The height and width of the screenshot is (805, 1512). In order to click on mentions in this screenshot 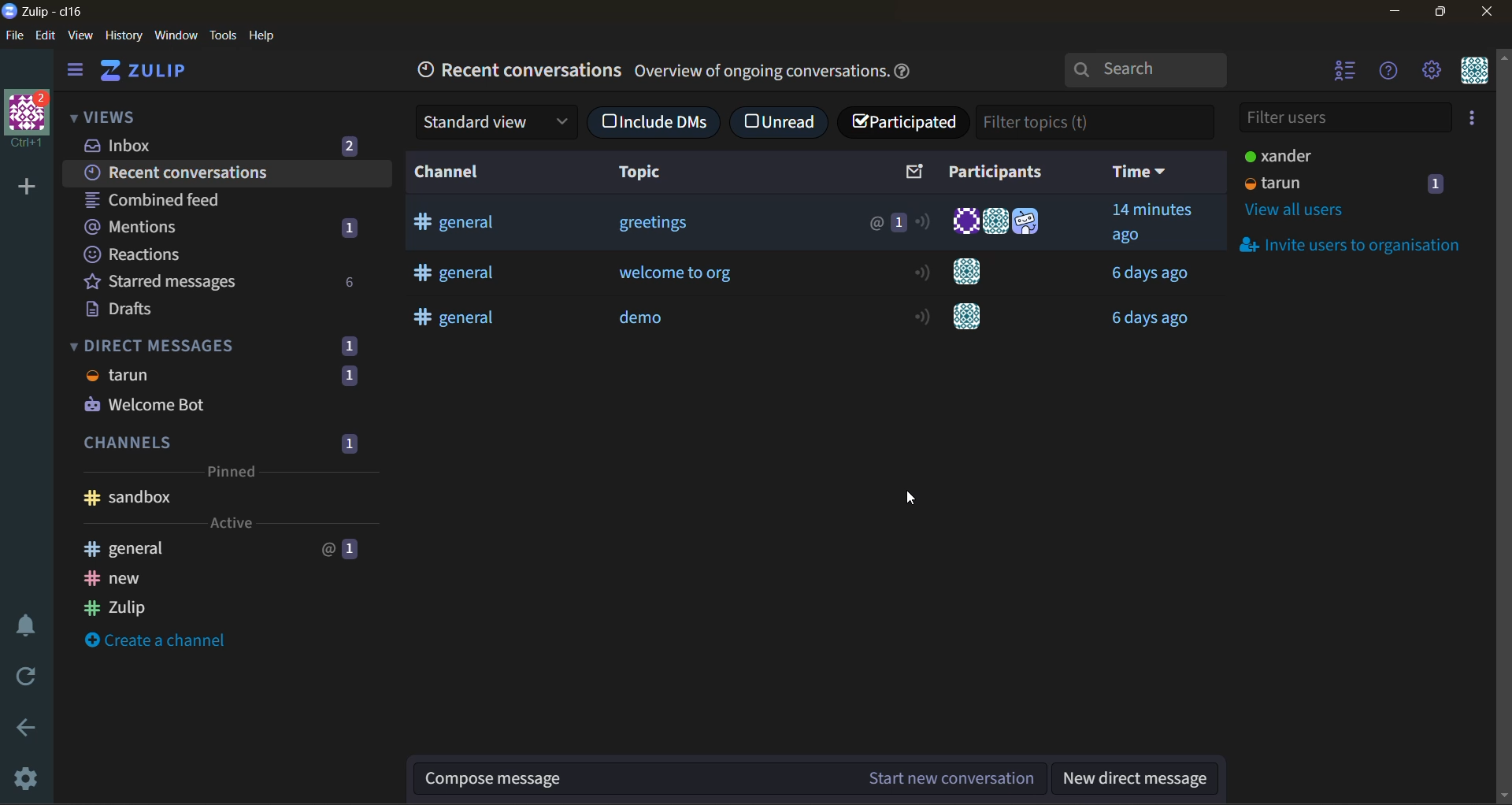, I will do `click(227, 227)`.